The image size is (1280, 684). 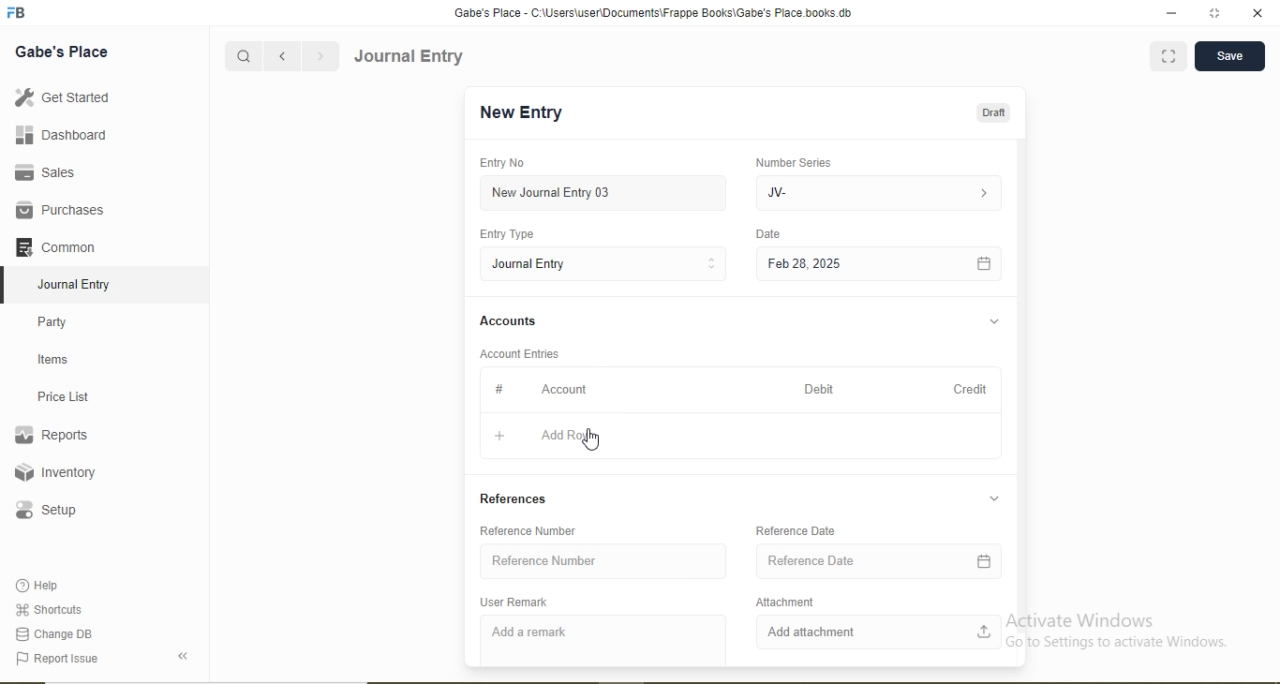 What do you see at coordinates (501, 162) in the screenshot?
I see `Entry No` at bounding box center [501, 162].